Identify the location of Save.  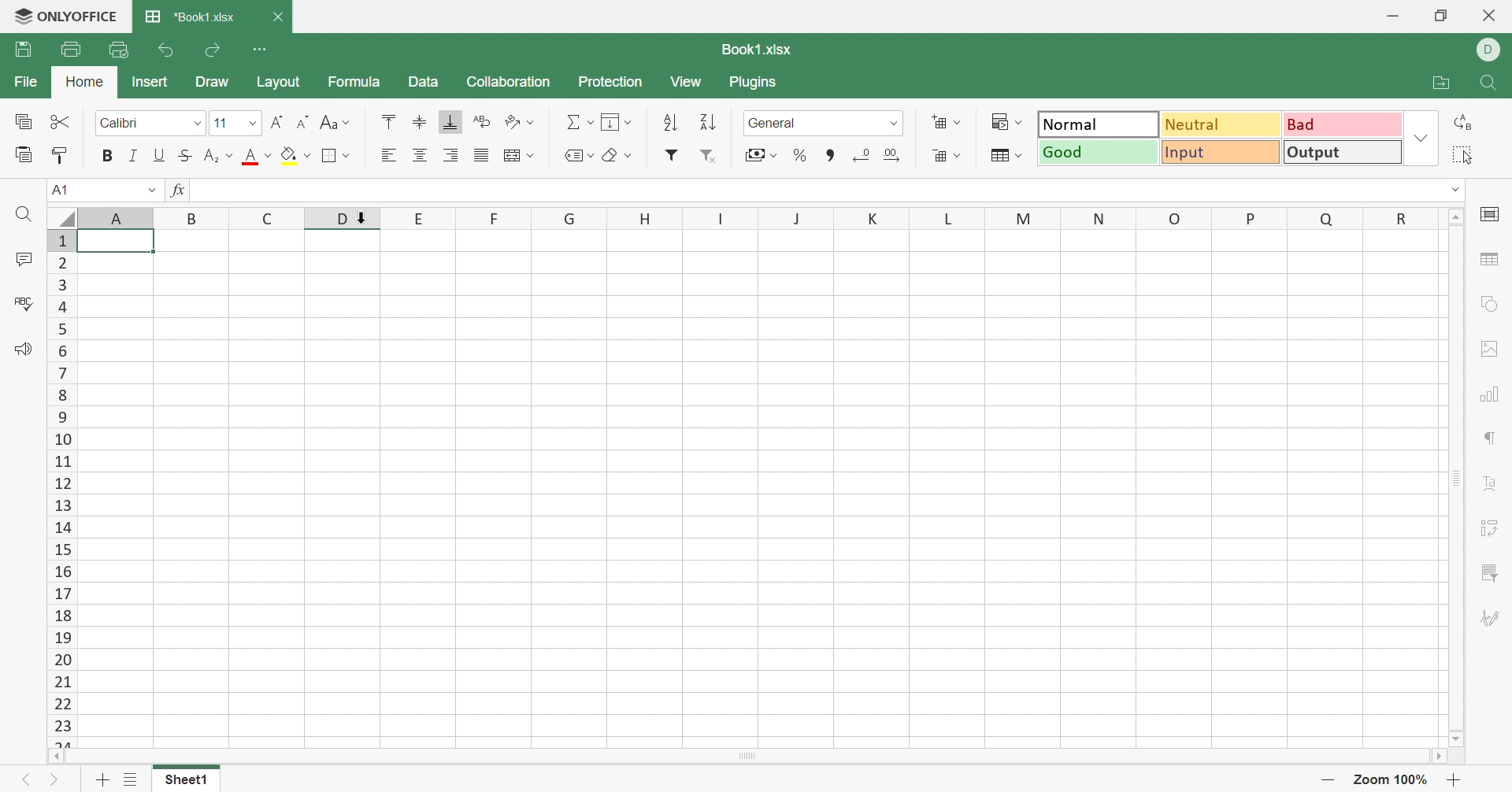
(24, 50).